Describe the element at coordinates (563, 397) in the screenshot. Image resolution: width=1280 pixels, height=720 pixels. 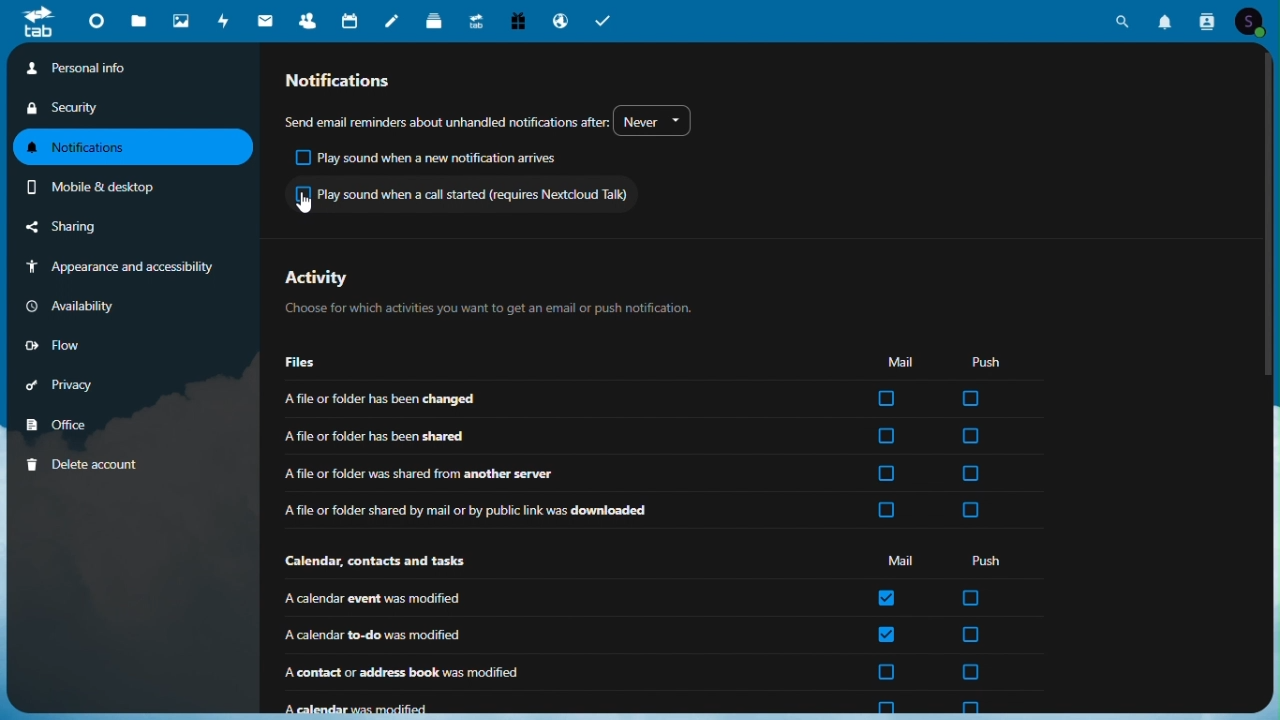
I see `A file or folder has been changed ` at that location.